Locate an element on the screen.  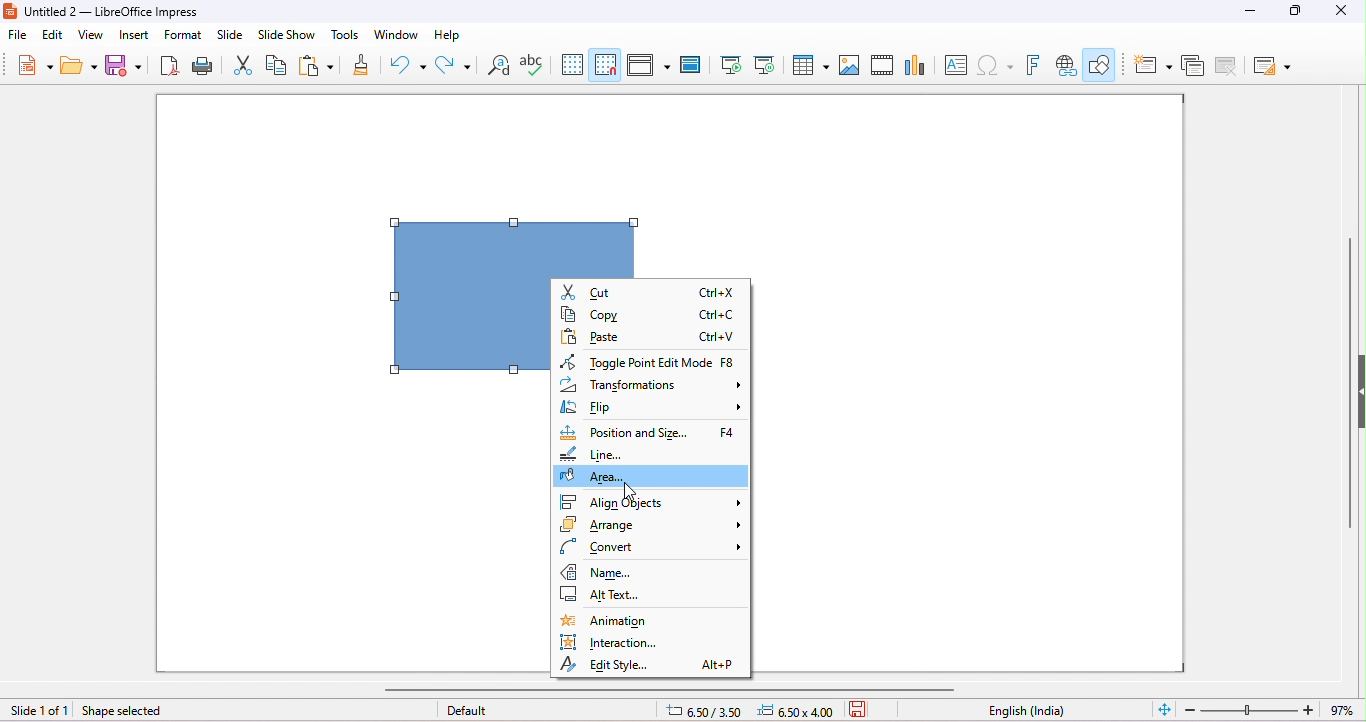
slide is located at coordinates (230, 34).